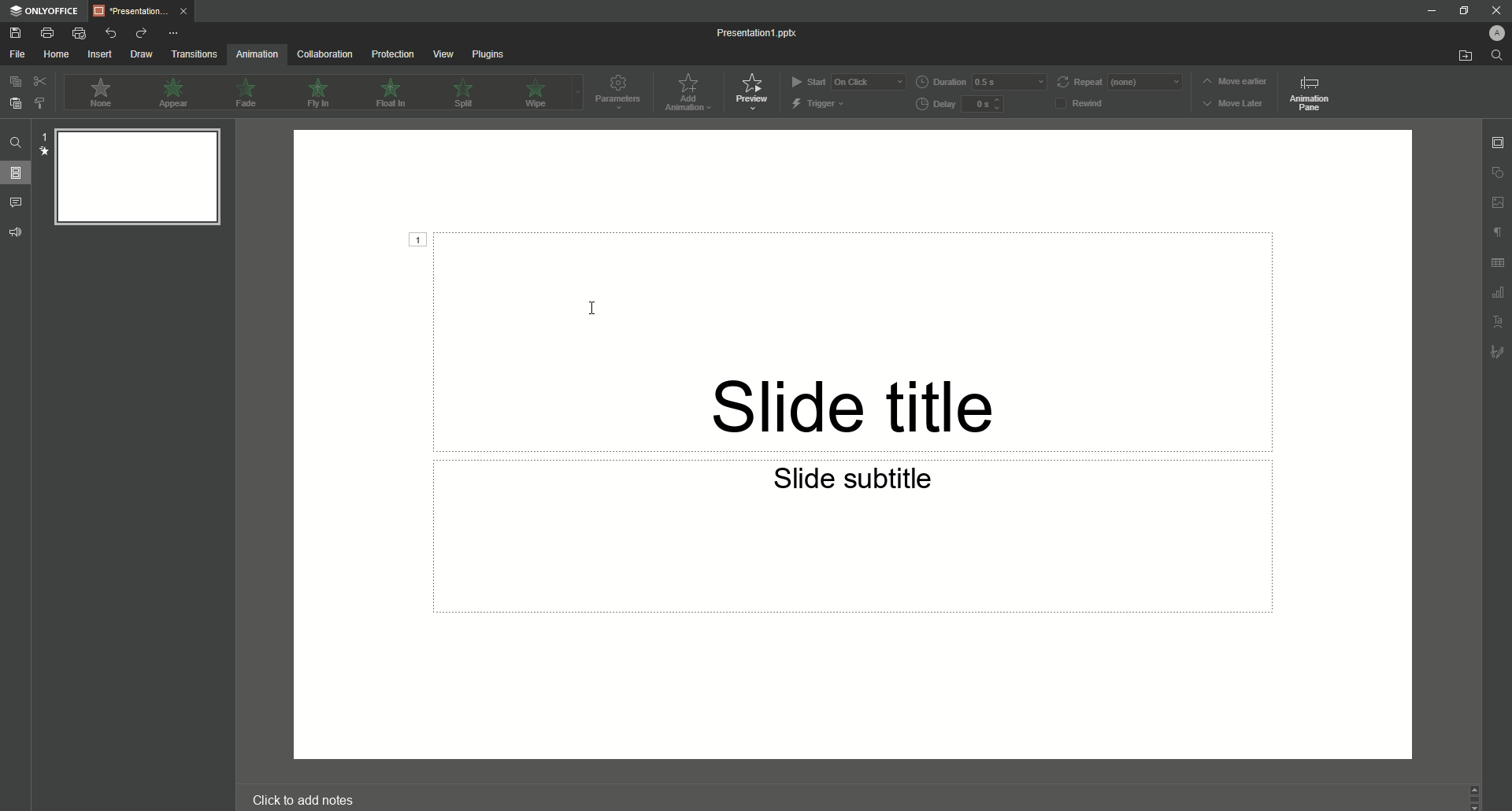 Image resolution: width=1512 pixels, height=811 pixels. Describe the element at coordinates (691, 94) in the screenshot. I see `Add Animation` at that location.